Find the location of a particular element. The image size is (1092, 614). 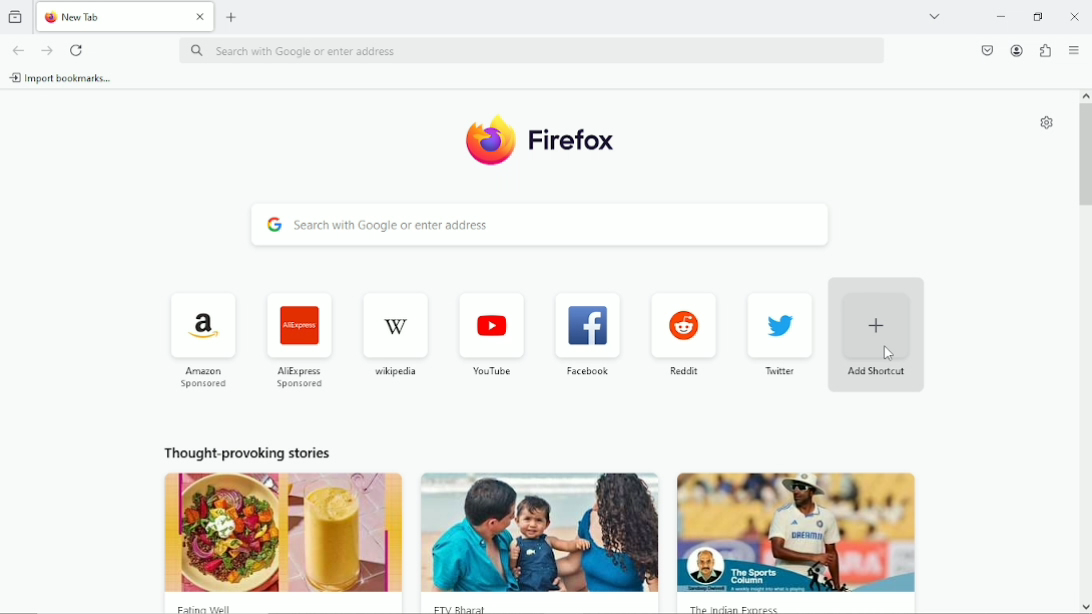

reload current page is located at coordinates (77, 50).